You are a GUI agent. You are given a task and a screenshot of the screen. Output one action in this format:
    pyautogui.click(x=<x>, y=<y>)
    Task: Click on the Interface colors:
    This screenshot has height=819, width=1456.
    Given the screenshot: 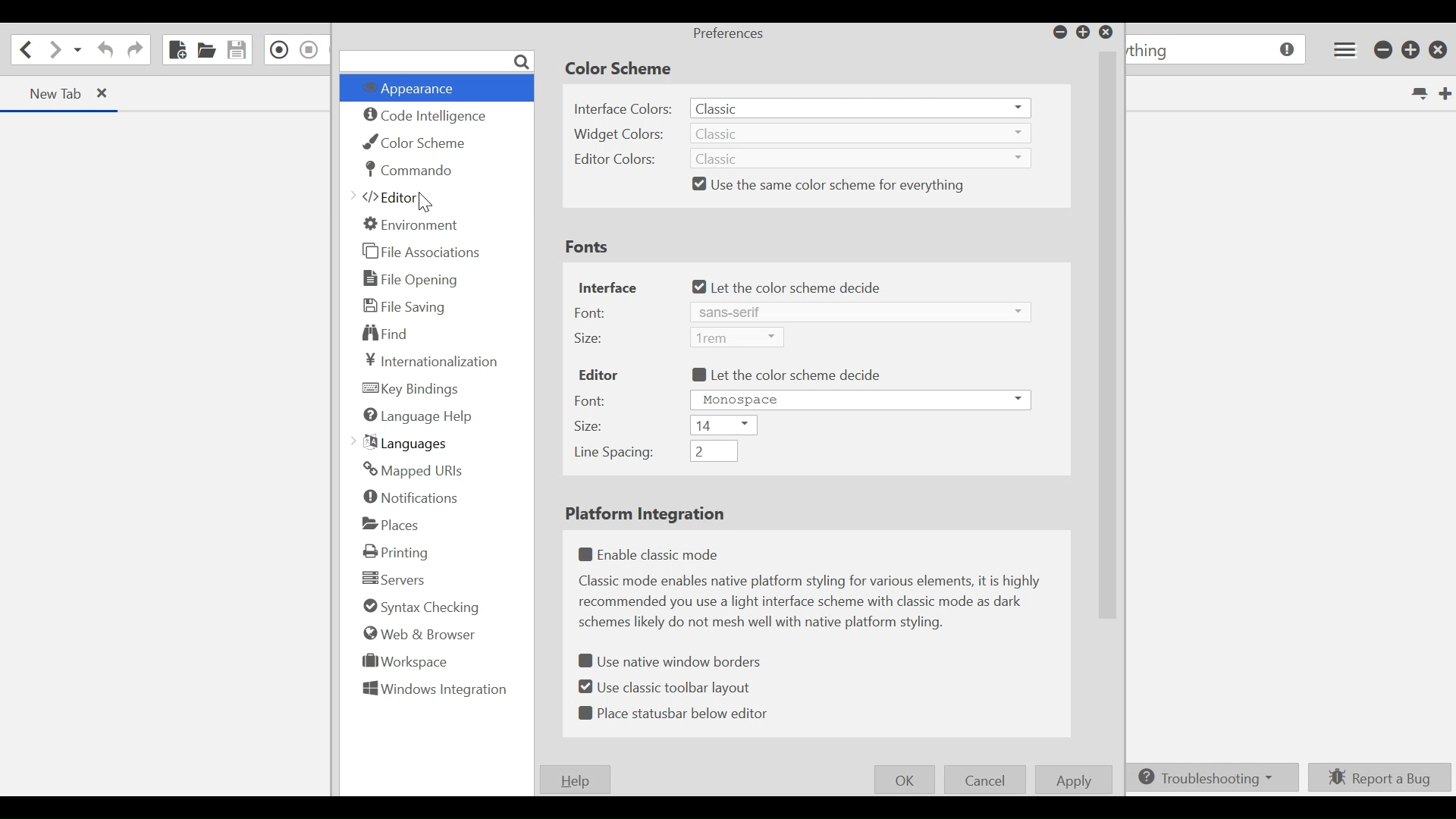 What is the action you would take?
    pyautogui.click(x=625, y=110)
    